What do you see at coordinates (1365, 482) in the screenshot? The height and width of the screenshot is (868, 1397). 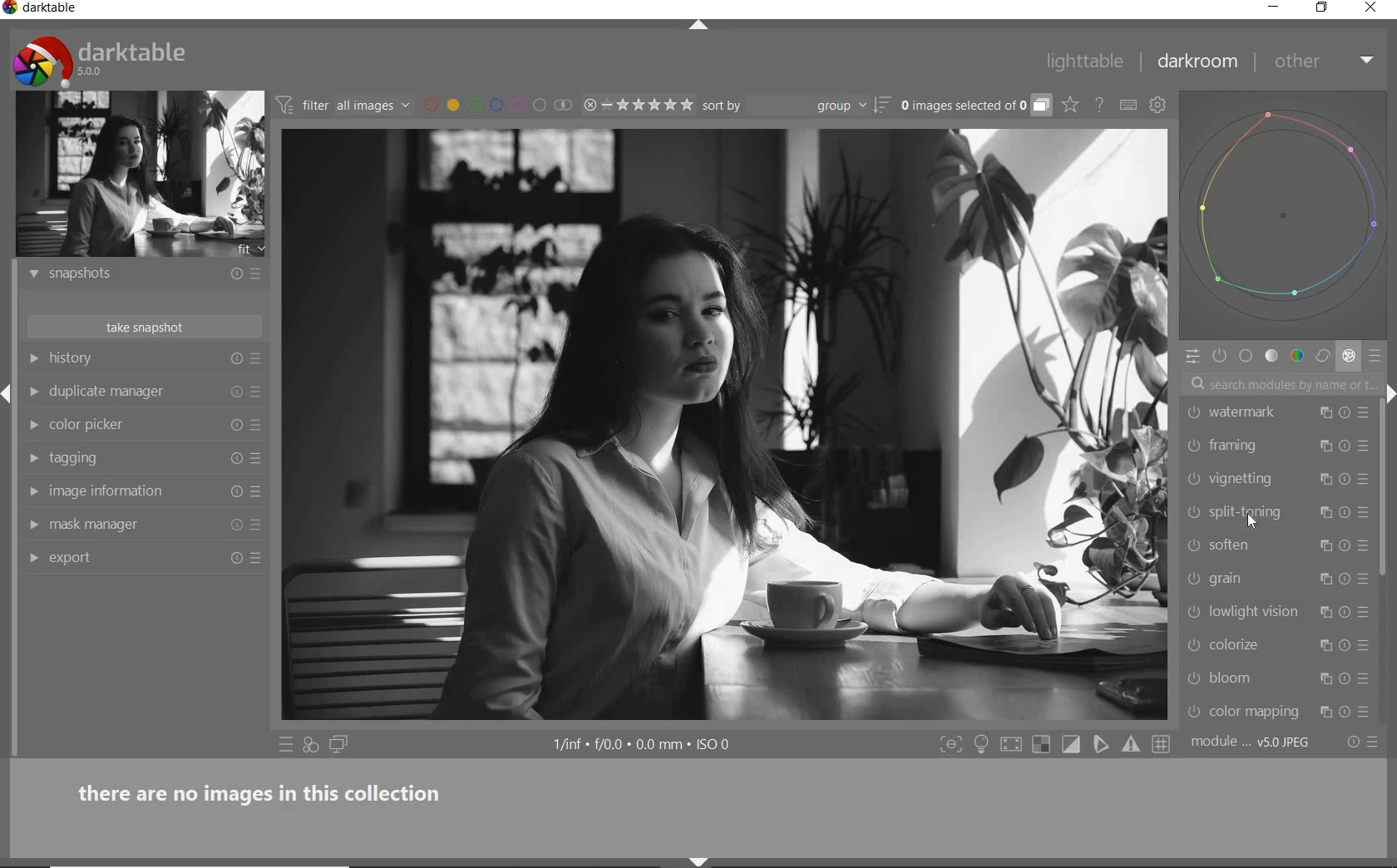 I see `preset and preferences` at bounding box center [1365, 482].